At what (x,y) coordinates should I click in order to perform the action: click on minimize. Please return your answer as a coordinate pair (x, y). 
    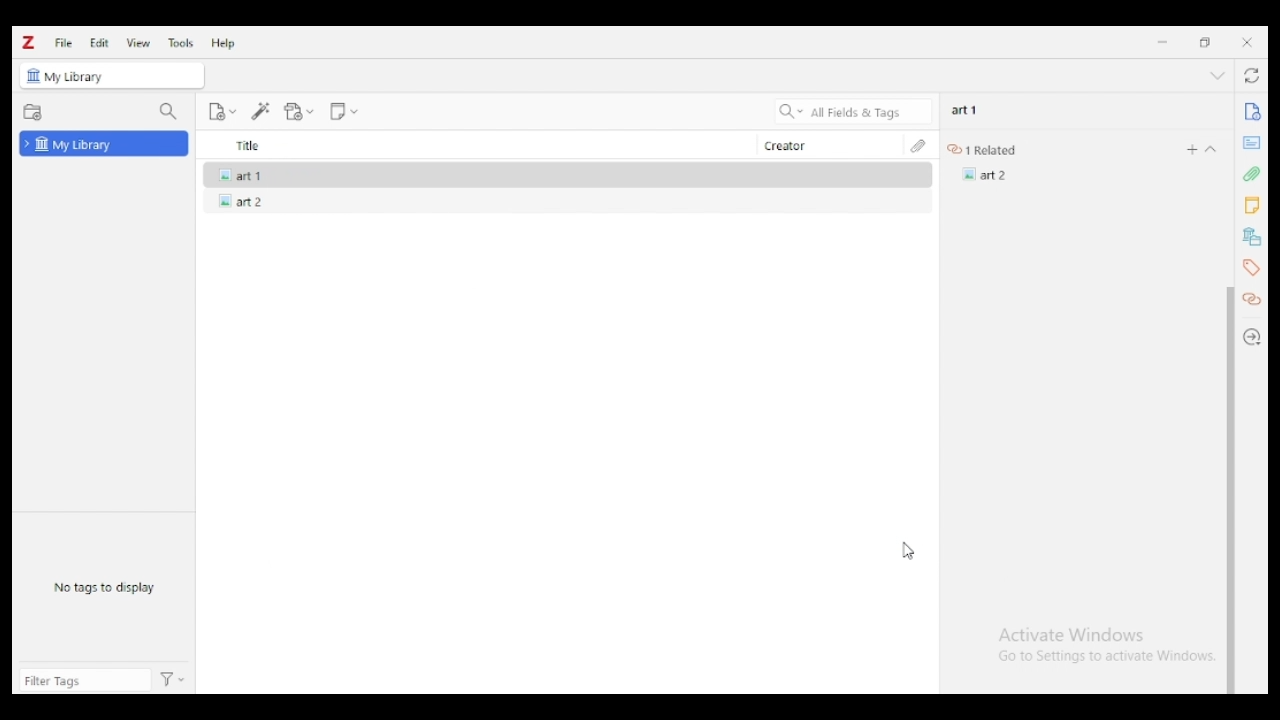
    Looking at the image, I should click on (1162, 42).